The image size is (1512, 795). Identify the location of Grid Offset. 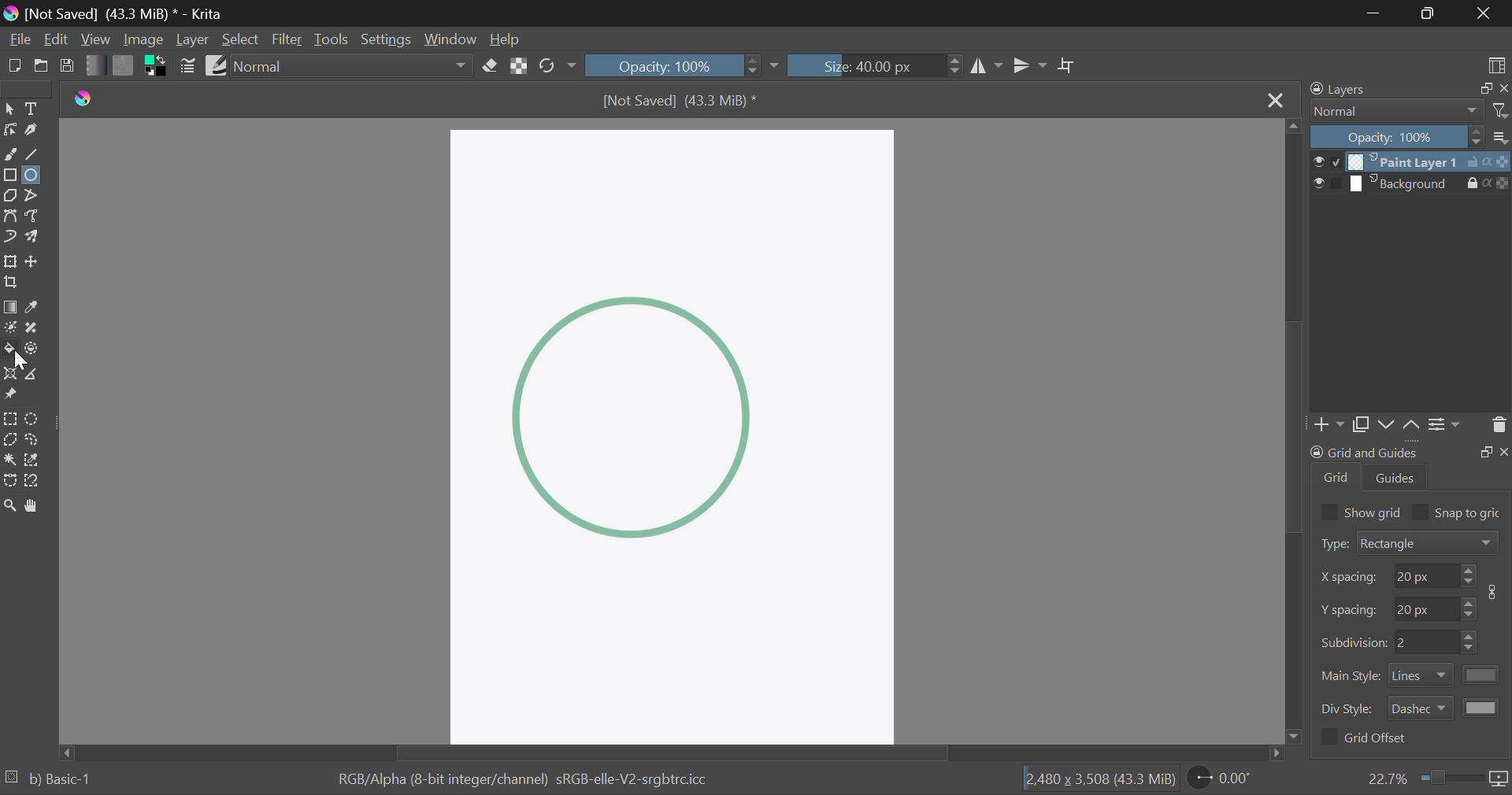
(1367, 739).